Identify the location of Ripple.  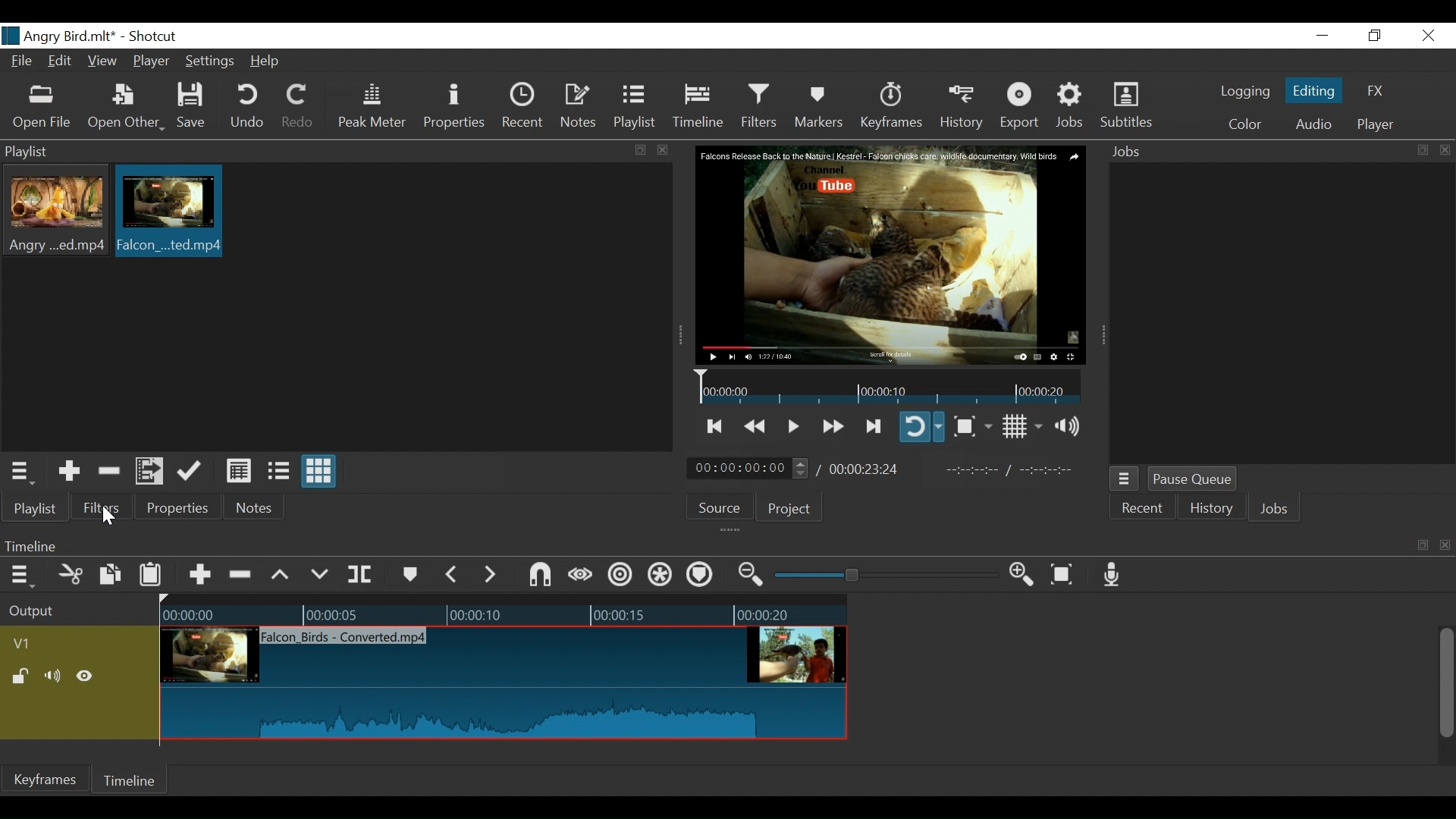
(623, 577).